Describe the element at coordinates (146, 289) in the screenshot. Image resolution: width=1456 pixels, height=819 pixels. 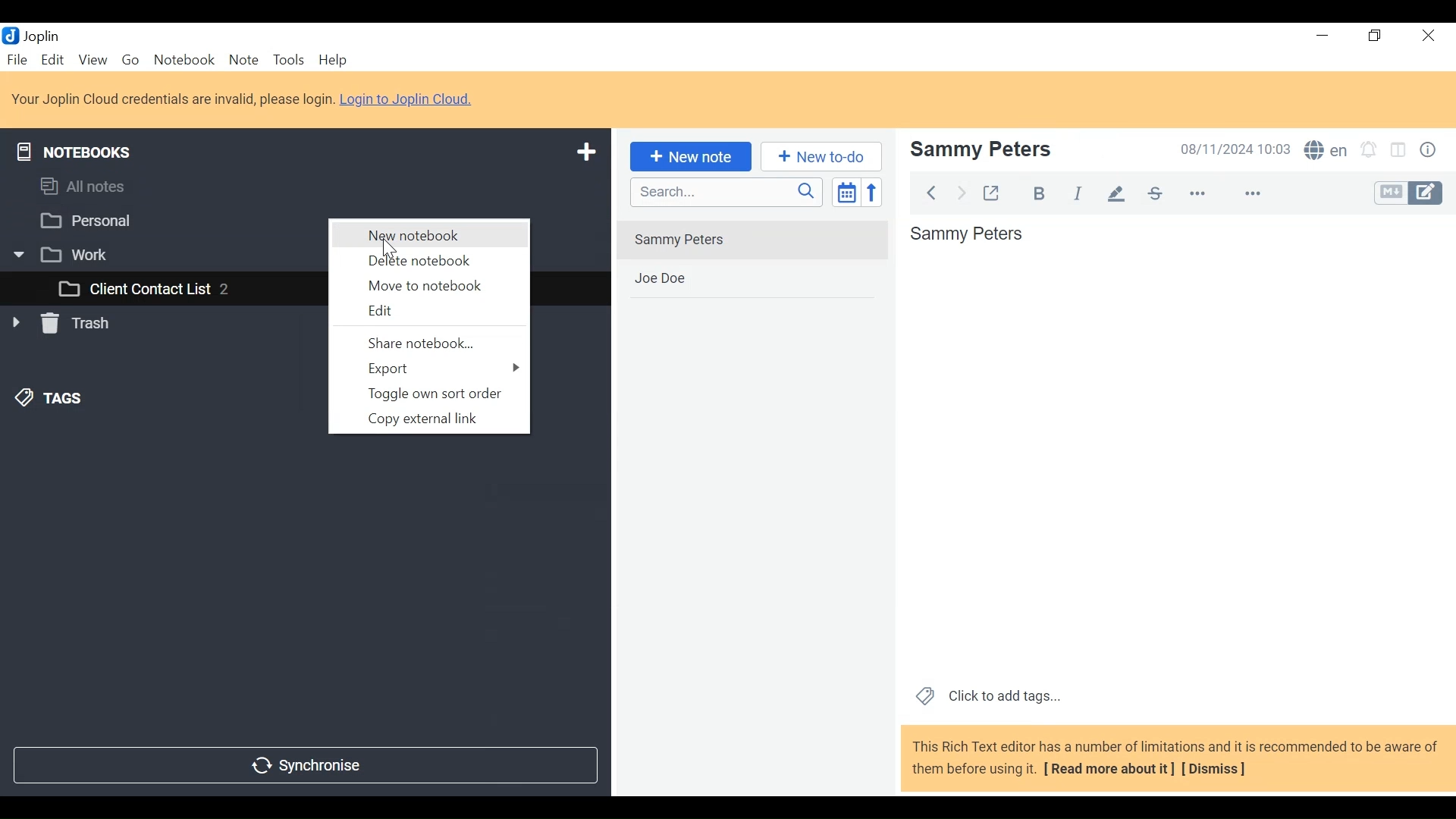
I see `Client Contact List 2` at that location.